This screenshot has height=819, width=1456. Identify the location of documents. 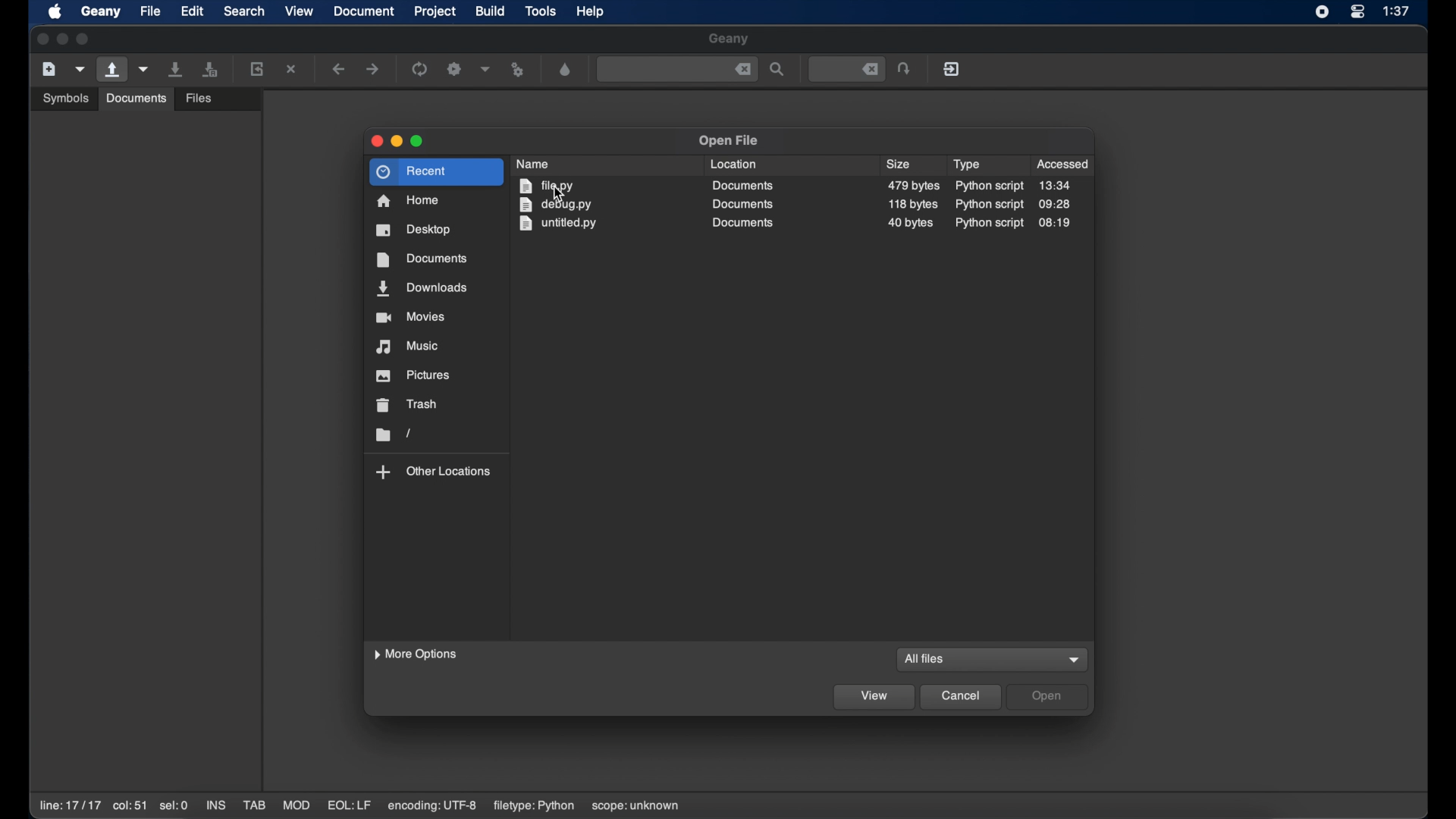
(420, 259).